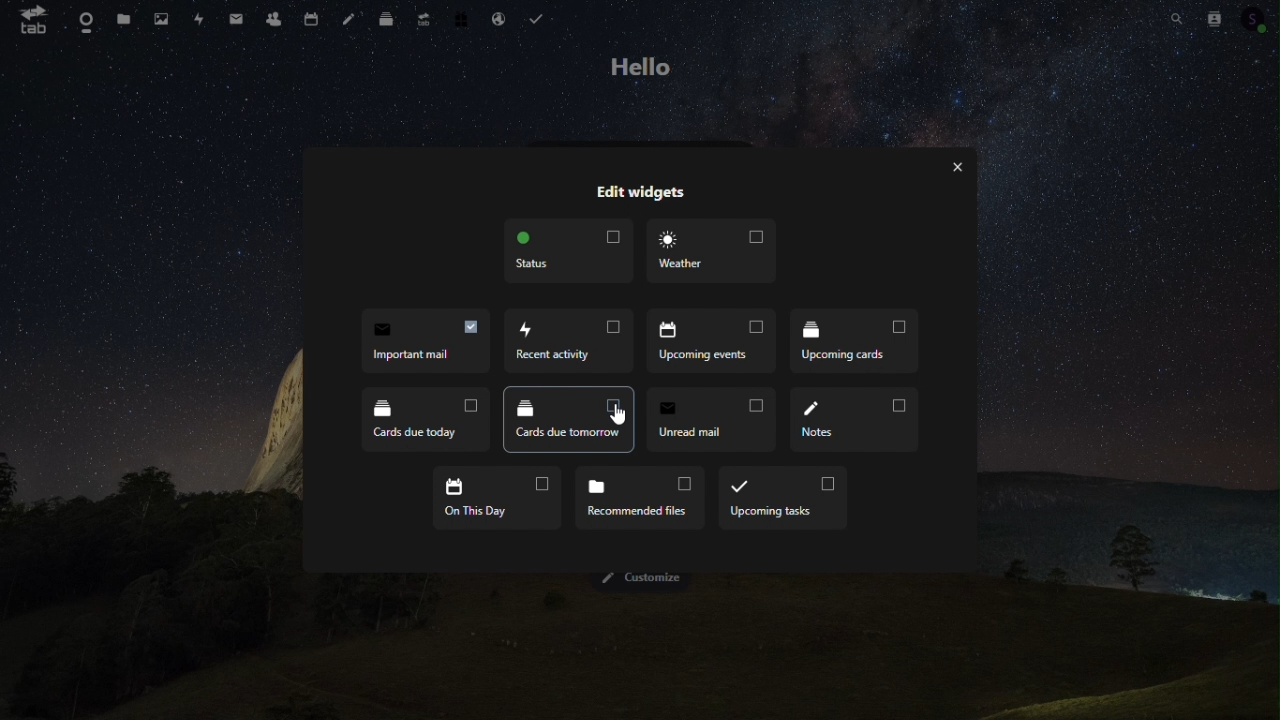 The width and height of the screenshot is (1280, 720). Describe the element at coordinates (308, 18) in the screenshot. I see `Calendar` at that location.